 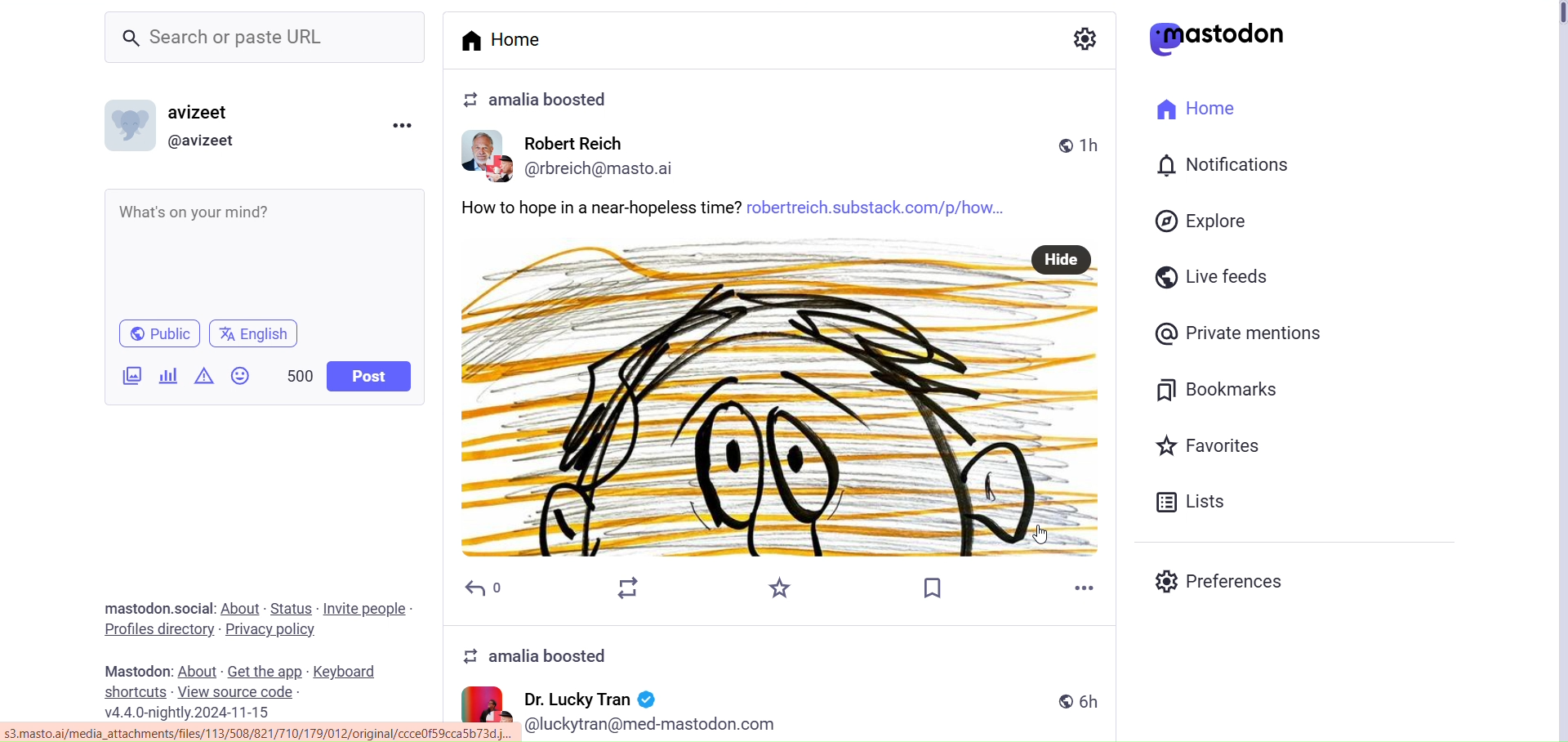 What do you see at coordinates (489, 589) in the screenshot?
I see `Reply` at bounding box center [489, 589].